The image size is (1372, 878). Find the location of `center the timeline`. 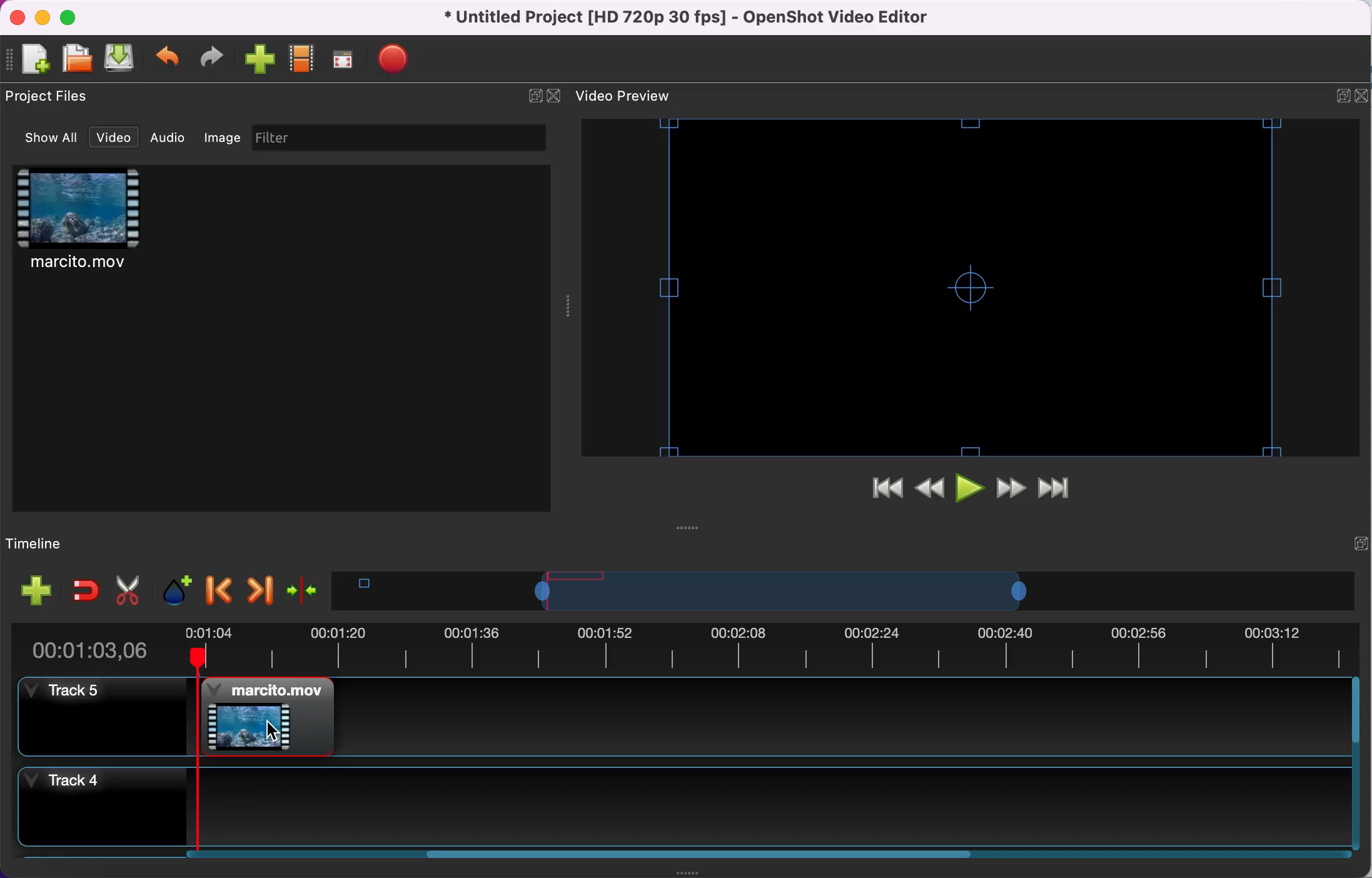

center the timeline is located at coordinates (307, 589).